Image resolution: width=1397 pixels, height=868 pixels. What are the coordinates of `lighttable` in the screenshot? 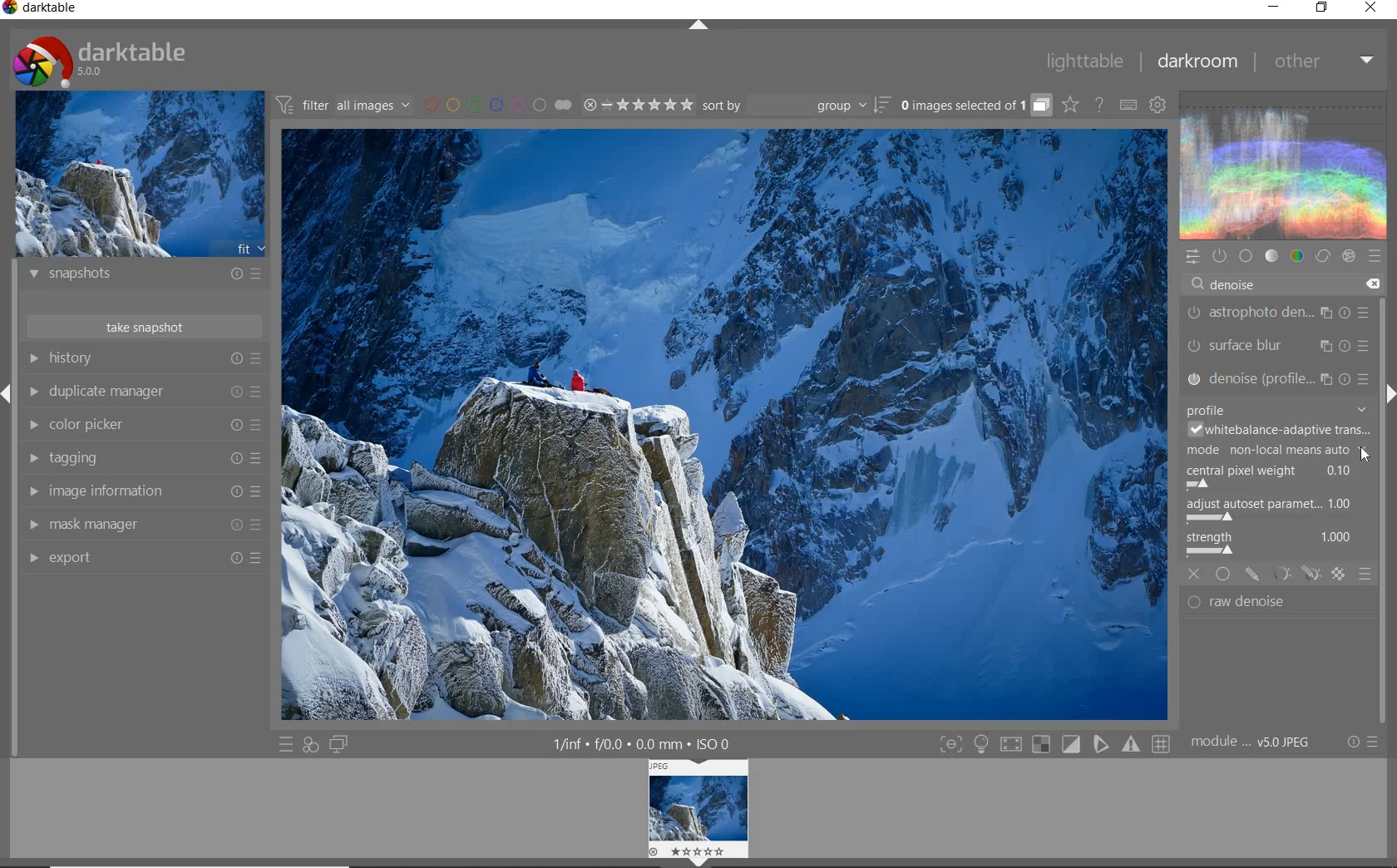 It's located at (1085, 60).